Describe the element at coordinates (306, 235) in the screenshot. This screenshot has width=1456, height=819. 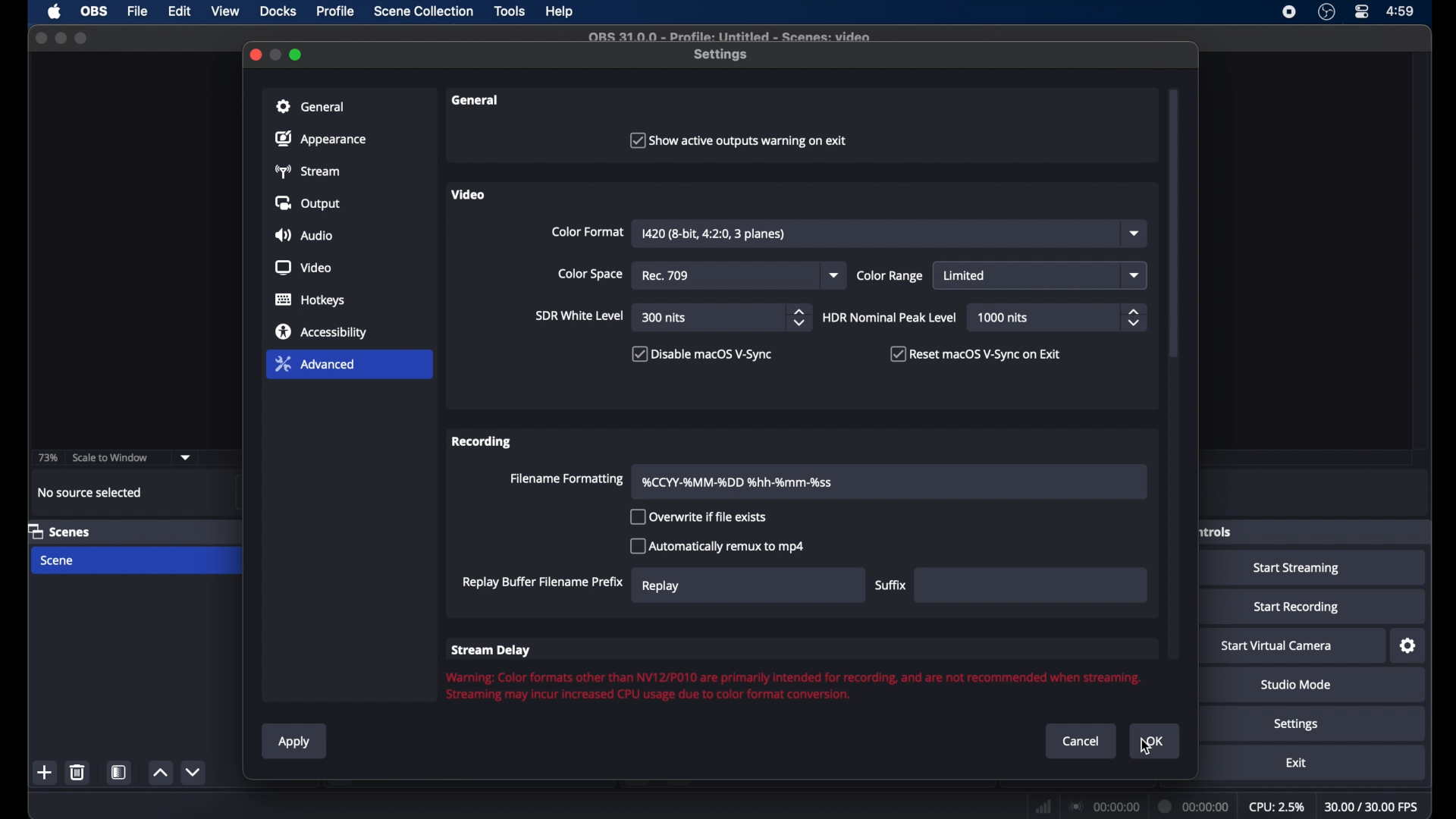
I see `audio` at that location.